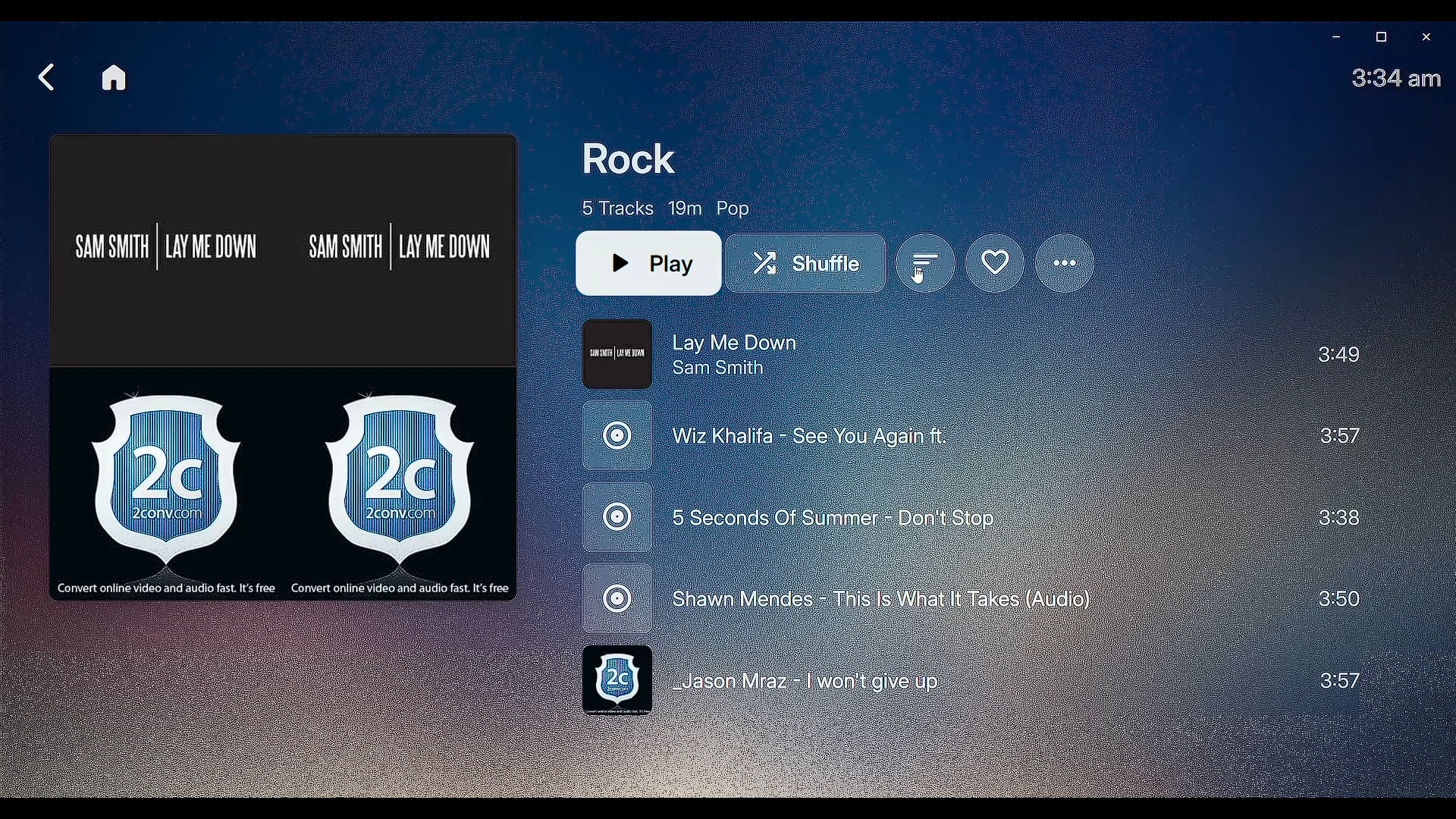  What do you see at coordinates (969, 355) in the screenshot?
I see `Lay Me Down` at bounding box center [969, 355].